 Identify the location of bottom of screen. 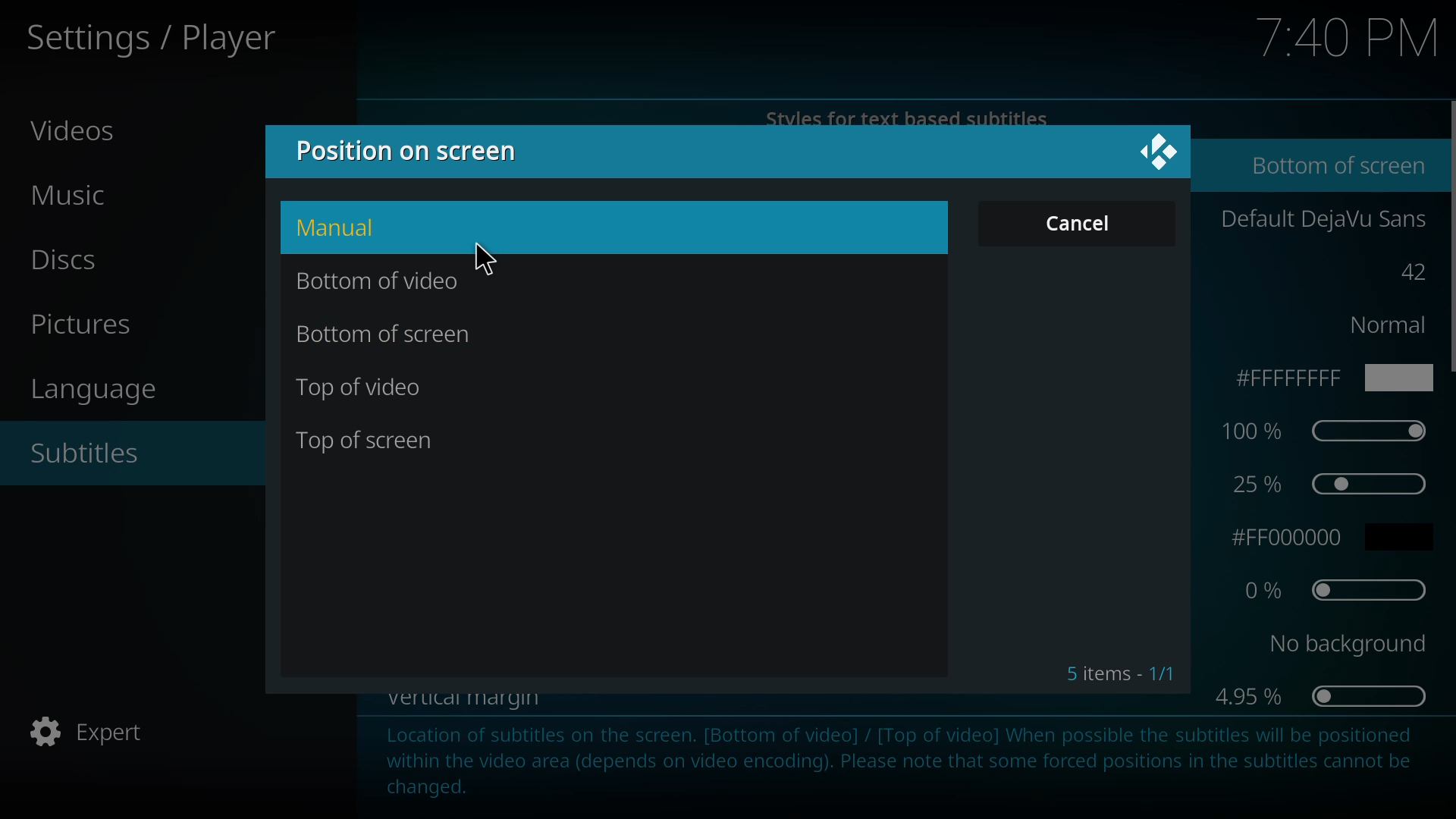
(392, 335).